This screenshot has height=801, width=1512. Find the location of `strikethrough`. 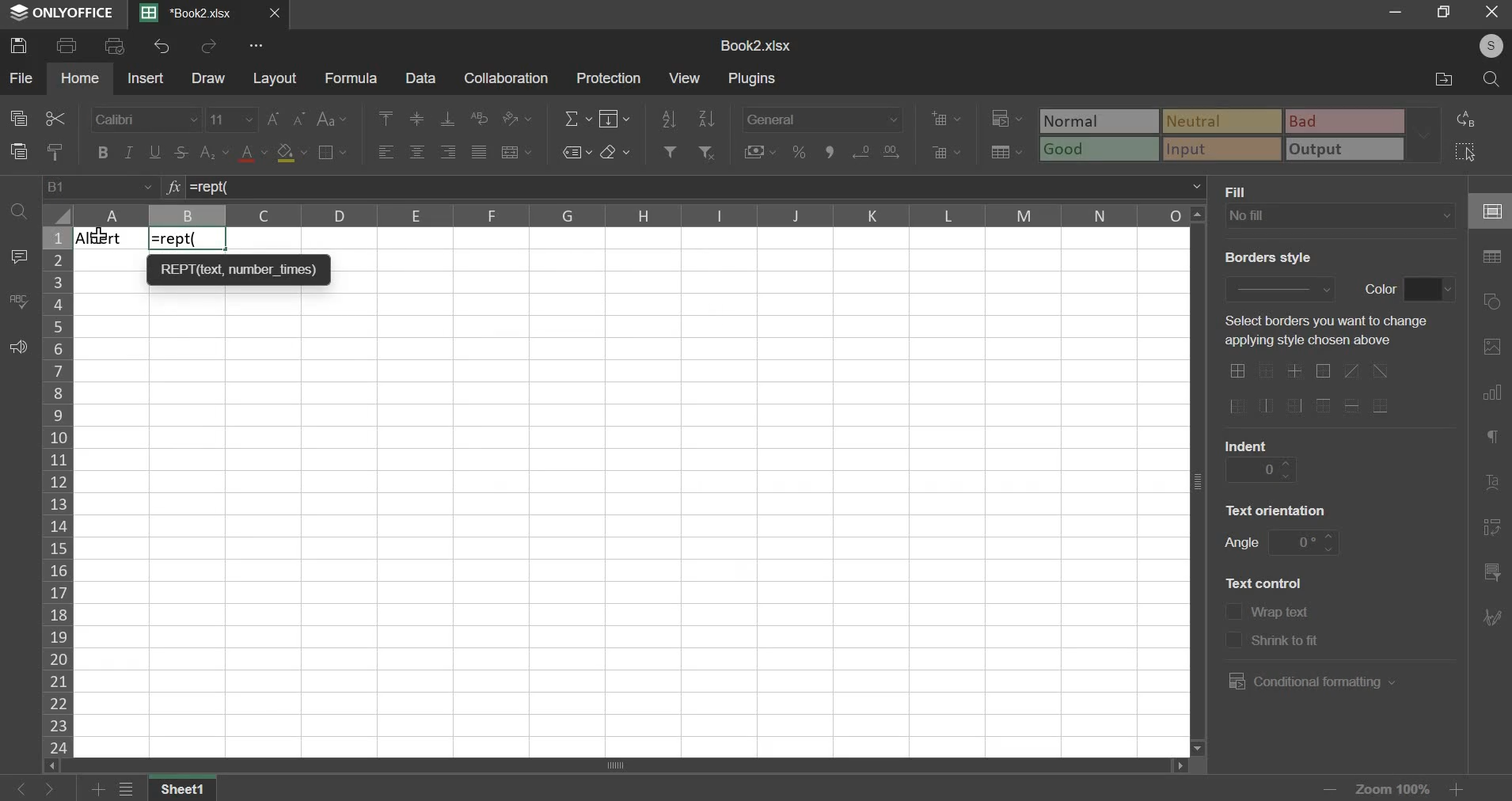

strikethrough is located at coordinates (184, 152).